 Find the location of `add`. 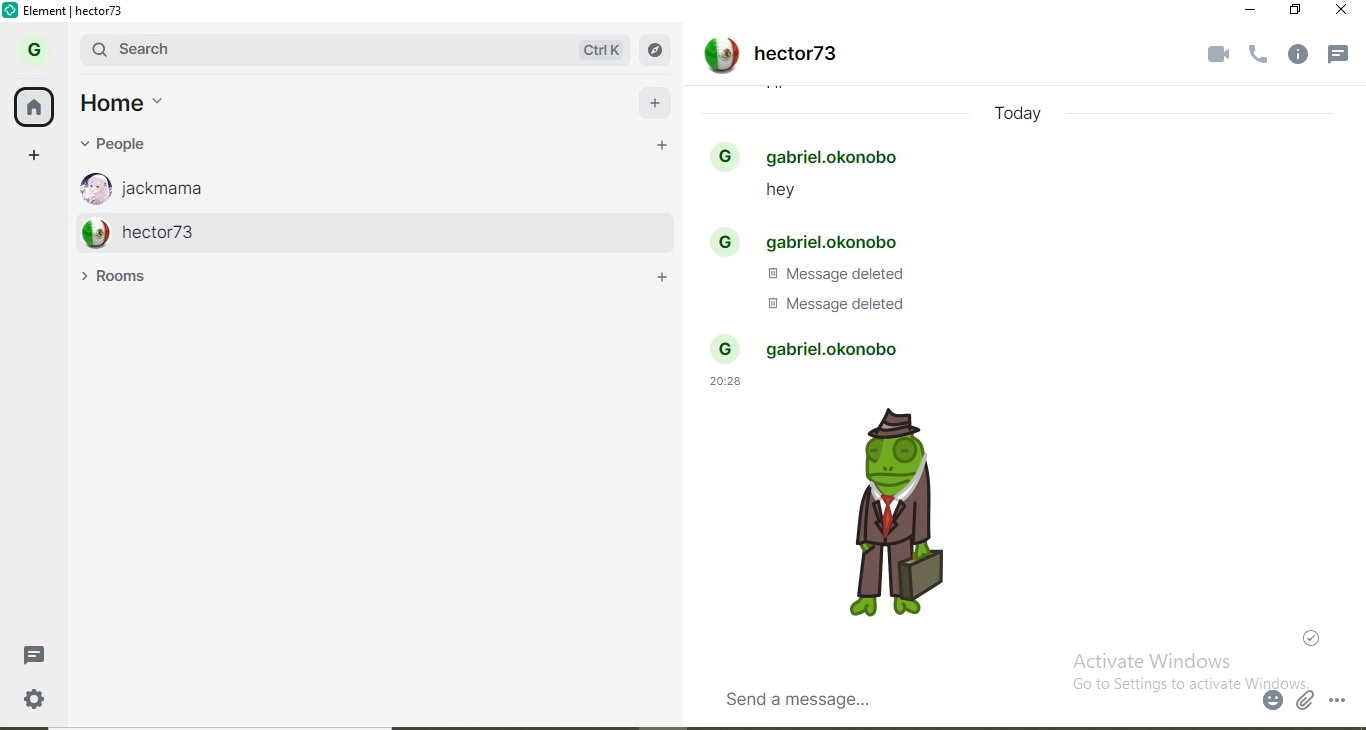

add is located at coordinates (657, 99).